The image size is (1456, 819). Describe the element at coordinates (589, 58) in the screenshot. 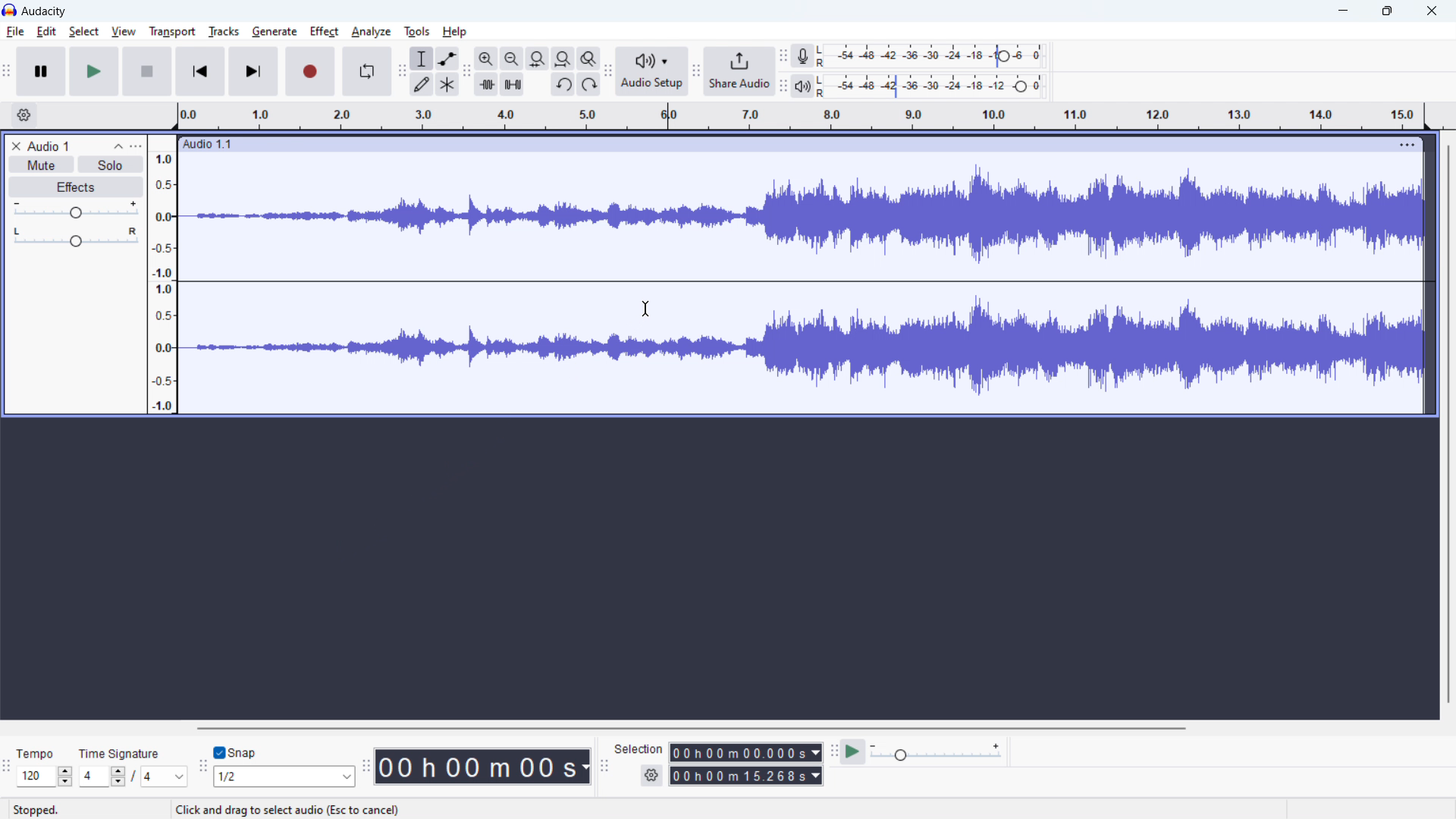

I see `toggle zoom` at that location.